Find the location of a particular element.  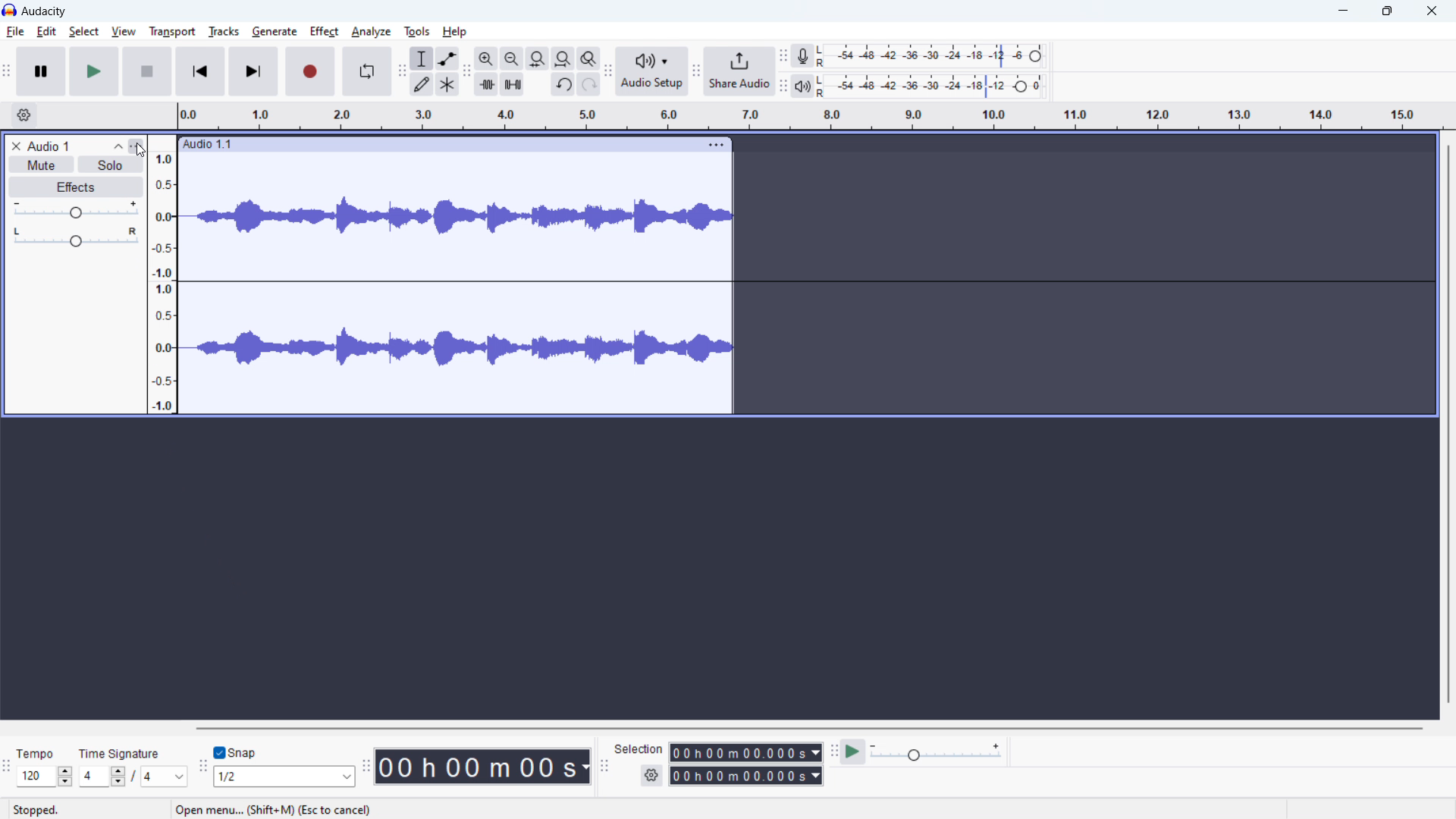

fit selection to width is located at coordinates (538, 58).